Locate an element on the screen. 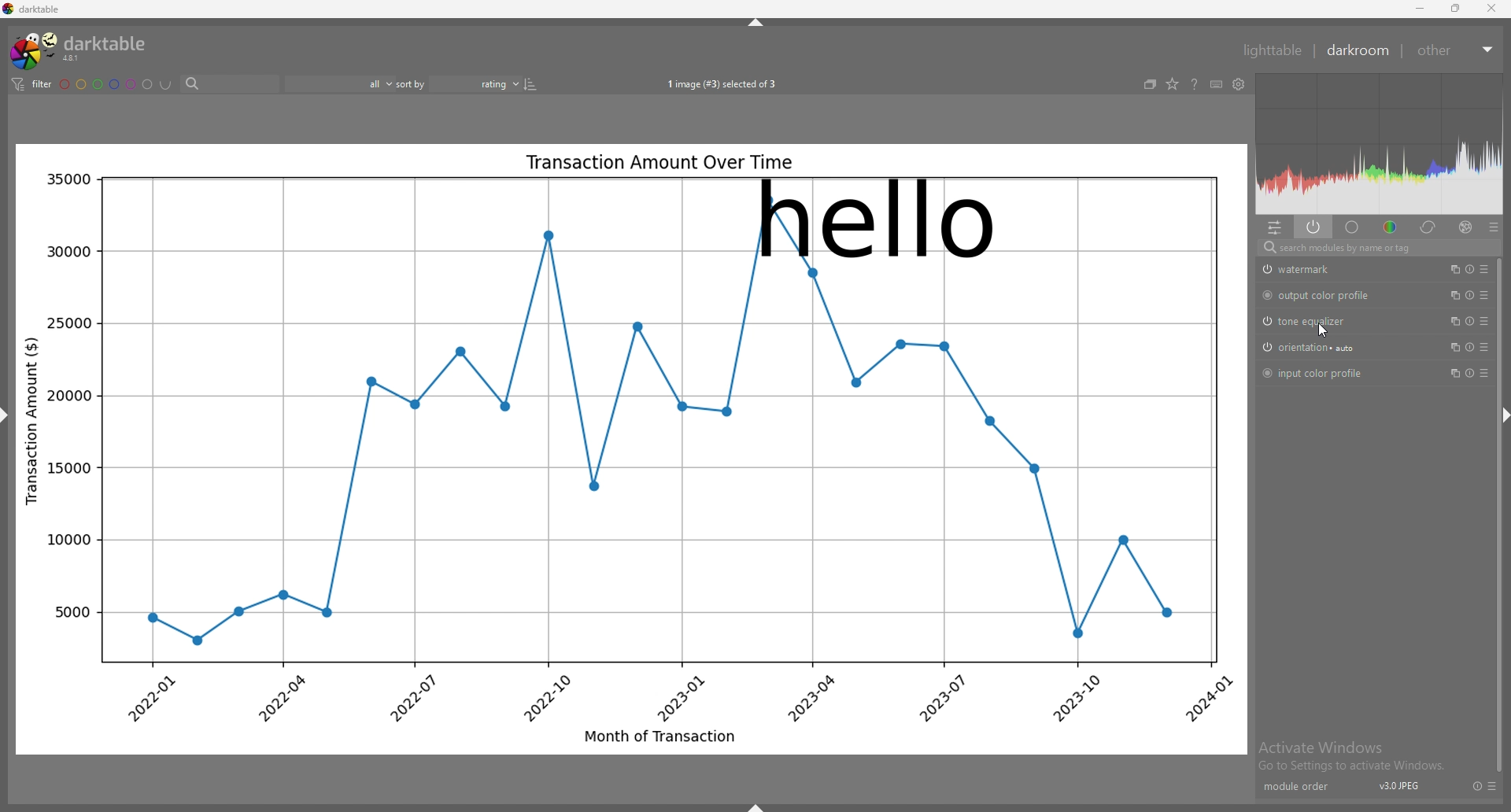 The width and height of the screenshot is (1511, 812). show only active modules is located at coordinates (1314, 228).